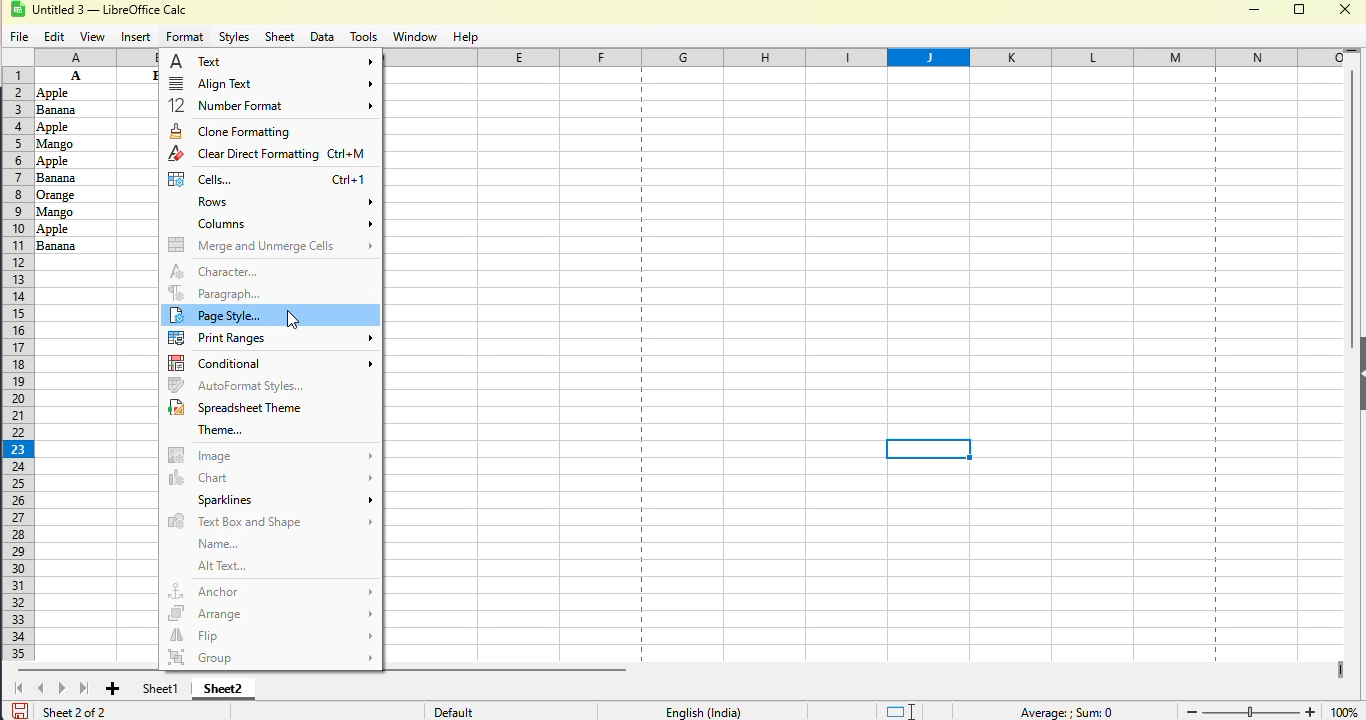 This screenshot has height=720, width=1366. Describe the element at coordinates (1065, 712) in the screenshot. I see `Average ; Sum 0` at that location.